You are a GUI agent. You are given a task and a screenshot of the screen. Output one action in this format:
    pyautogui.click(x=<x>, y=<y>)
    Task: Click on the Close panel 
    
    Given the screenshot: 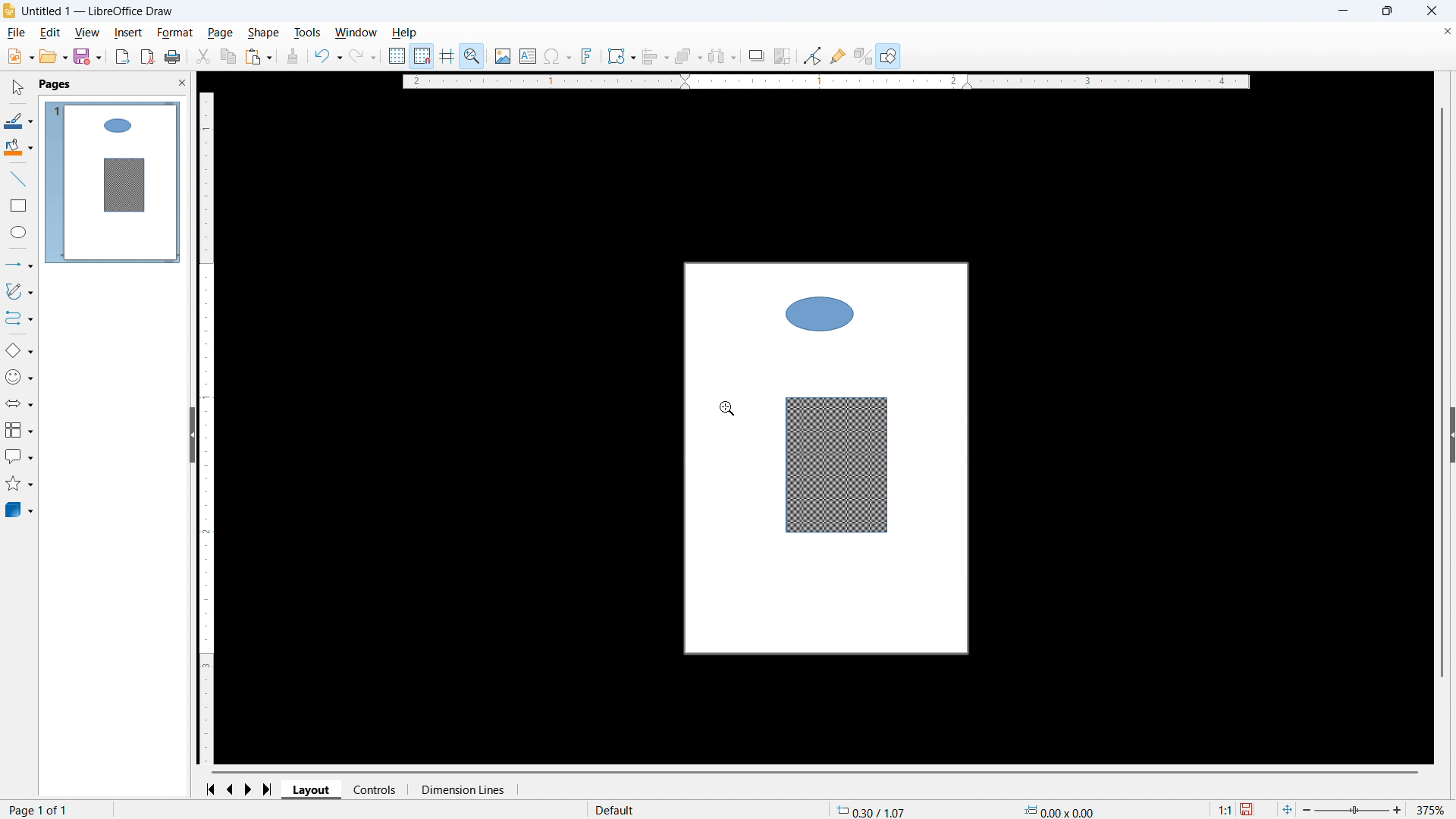 What is the action you would take?
    pyautogui.click(x=183, y=83)
    